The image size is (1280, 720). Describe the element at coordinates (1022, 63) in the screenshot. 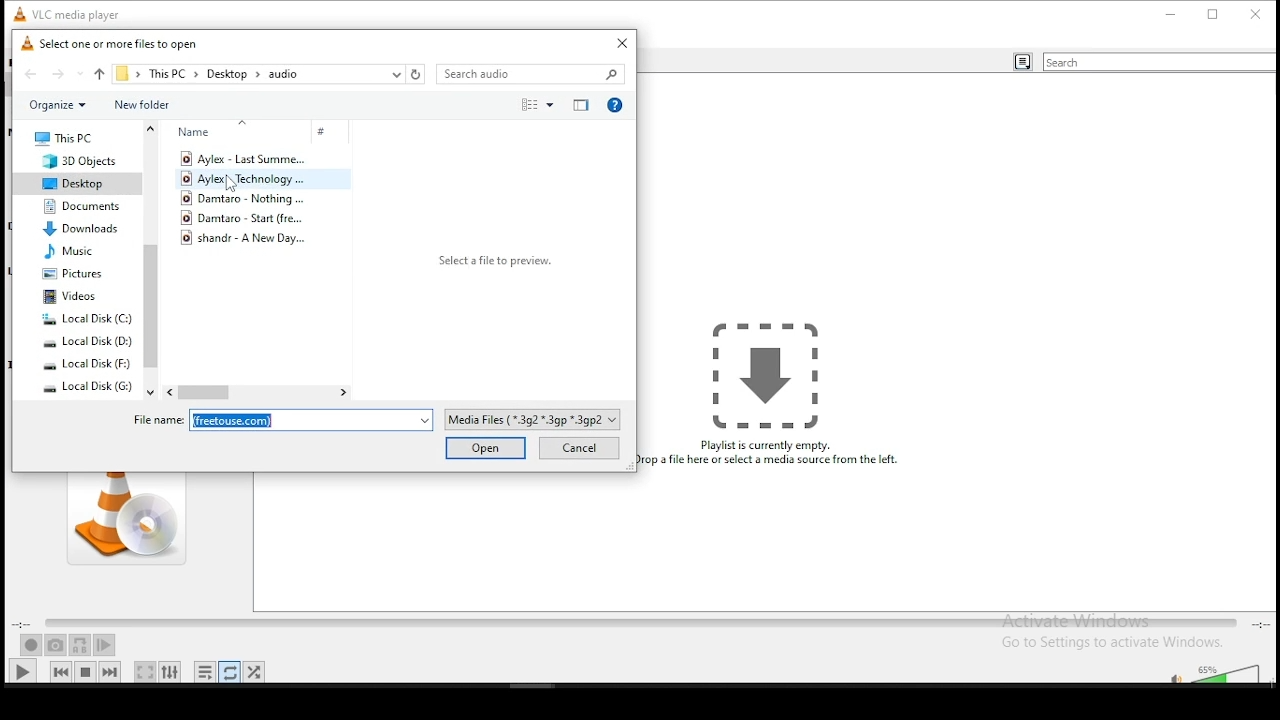

I see `toggle playlist view` at that location.